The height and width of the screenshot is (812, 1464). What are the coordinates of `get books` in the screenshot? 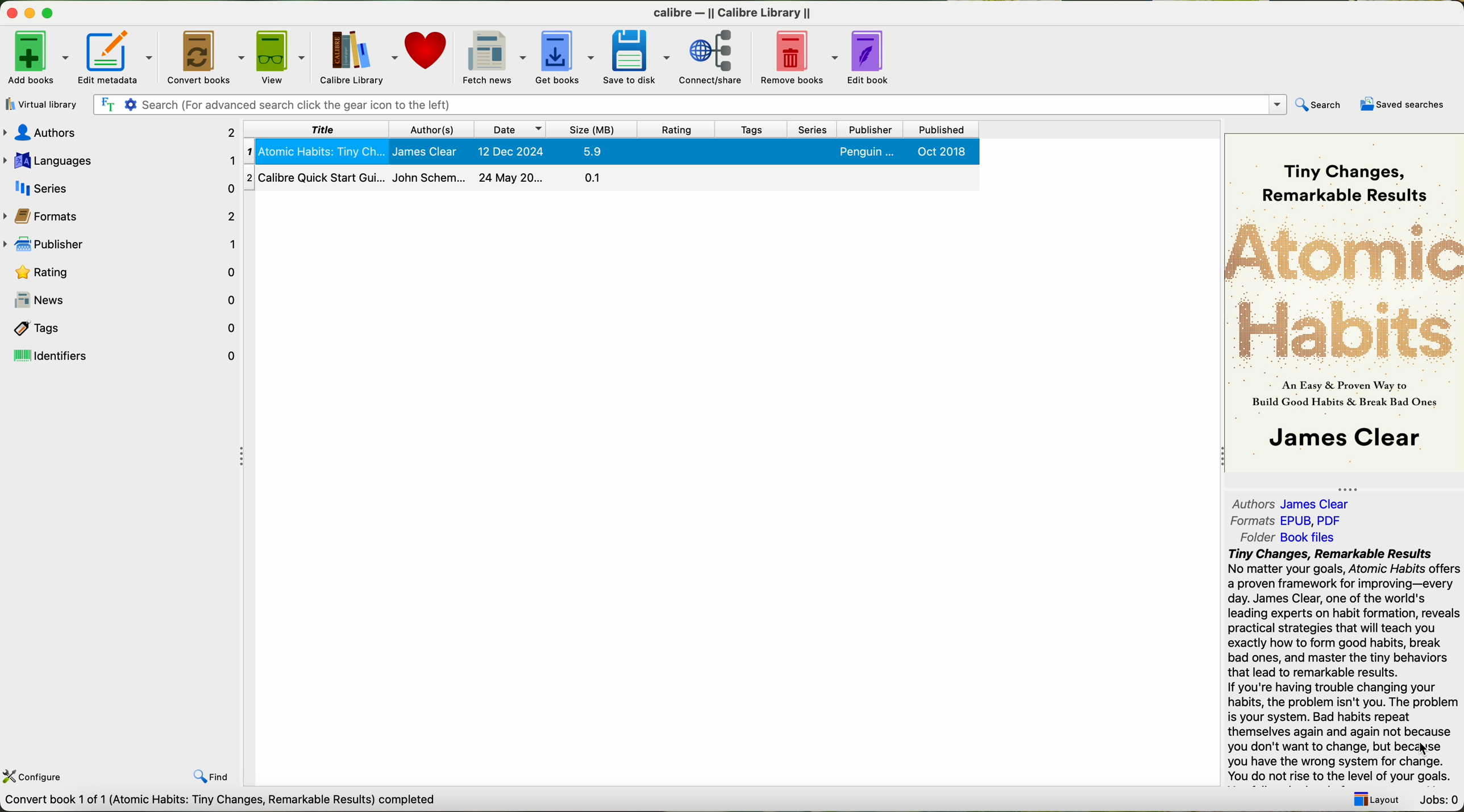 It's located at (566, 59).